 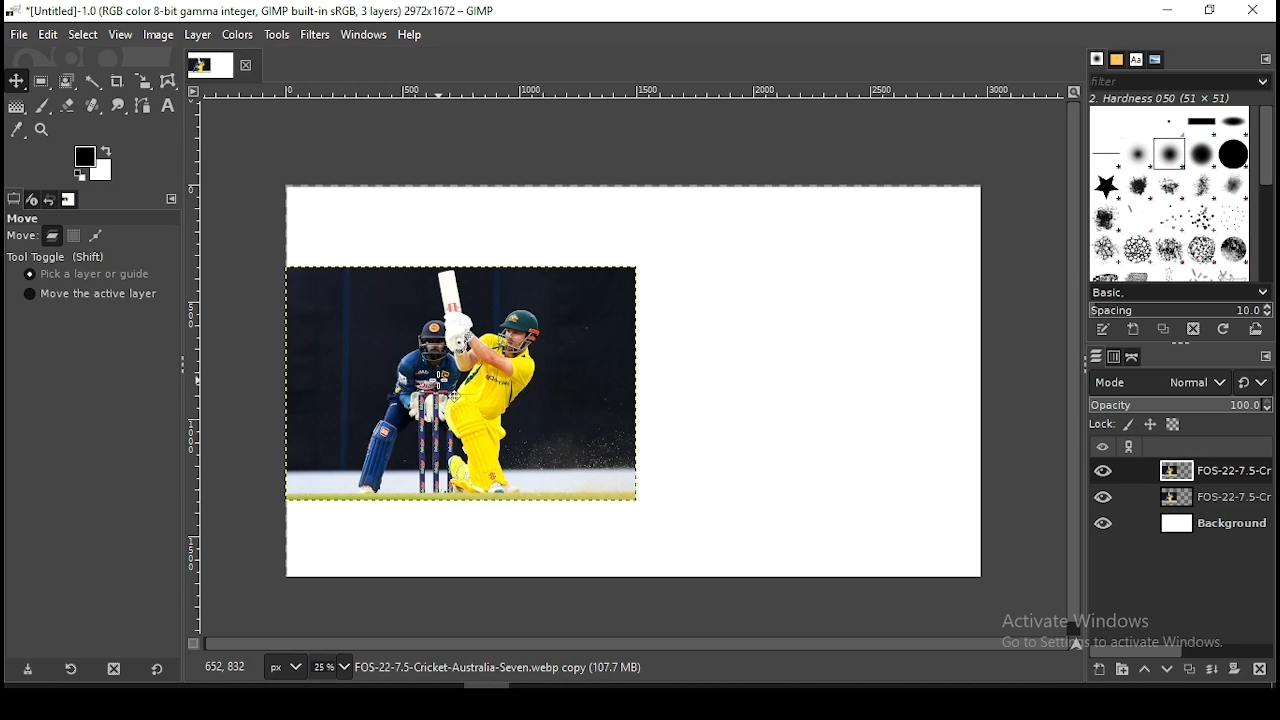 What do you see at coordinates (1180, 382) in the screenshot?
I see `blend mode` at bounding box center [1180, 382].